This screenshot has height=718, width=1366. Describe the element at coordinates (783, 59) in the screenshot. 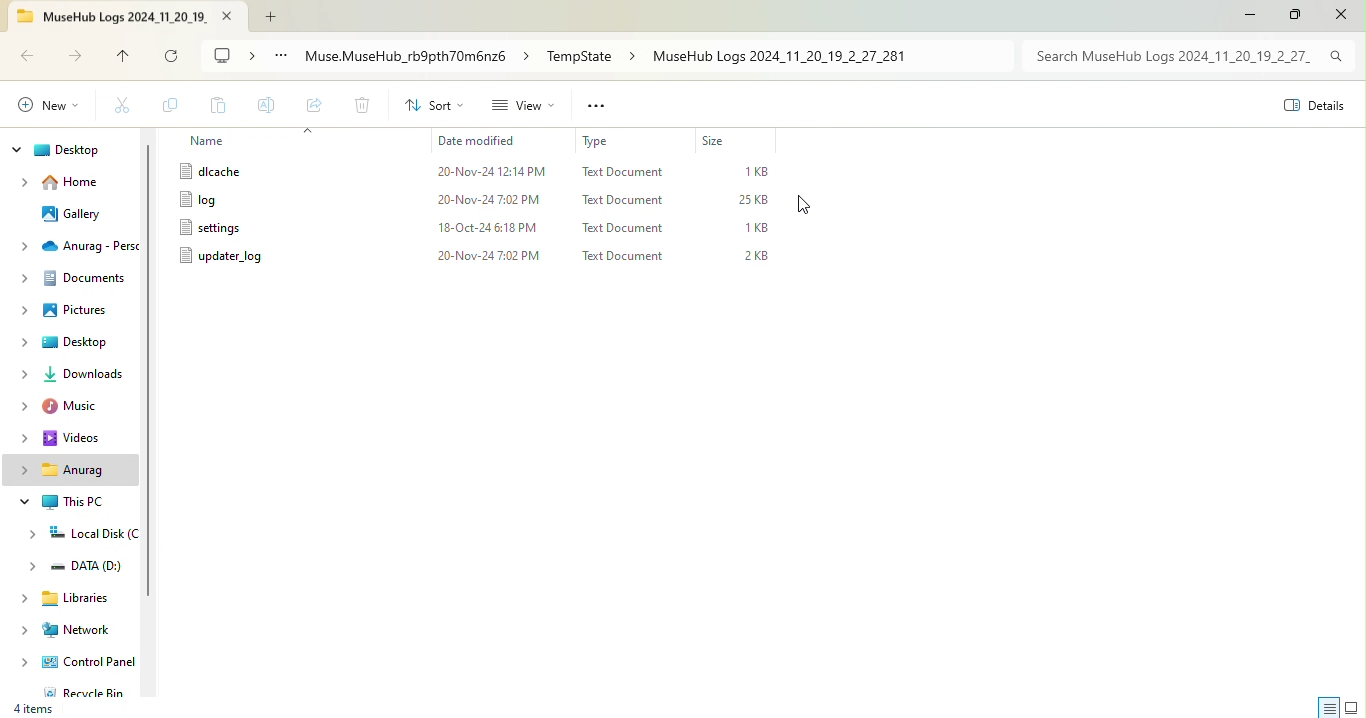

I see `Files` at that location.